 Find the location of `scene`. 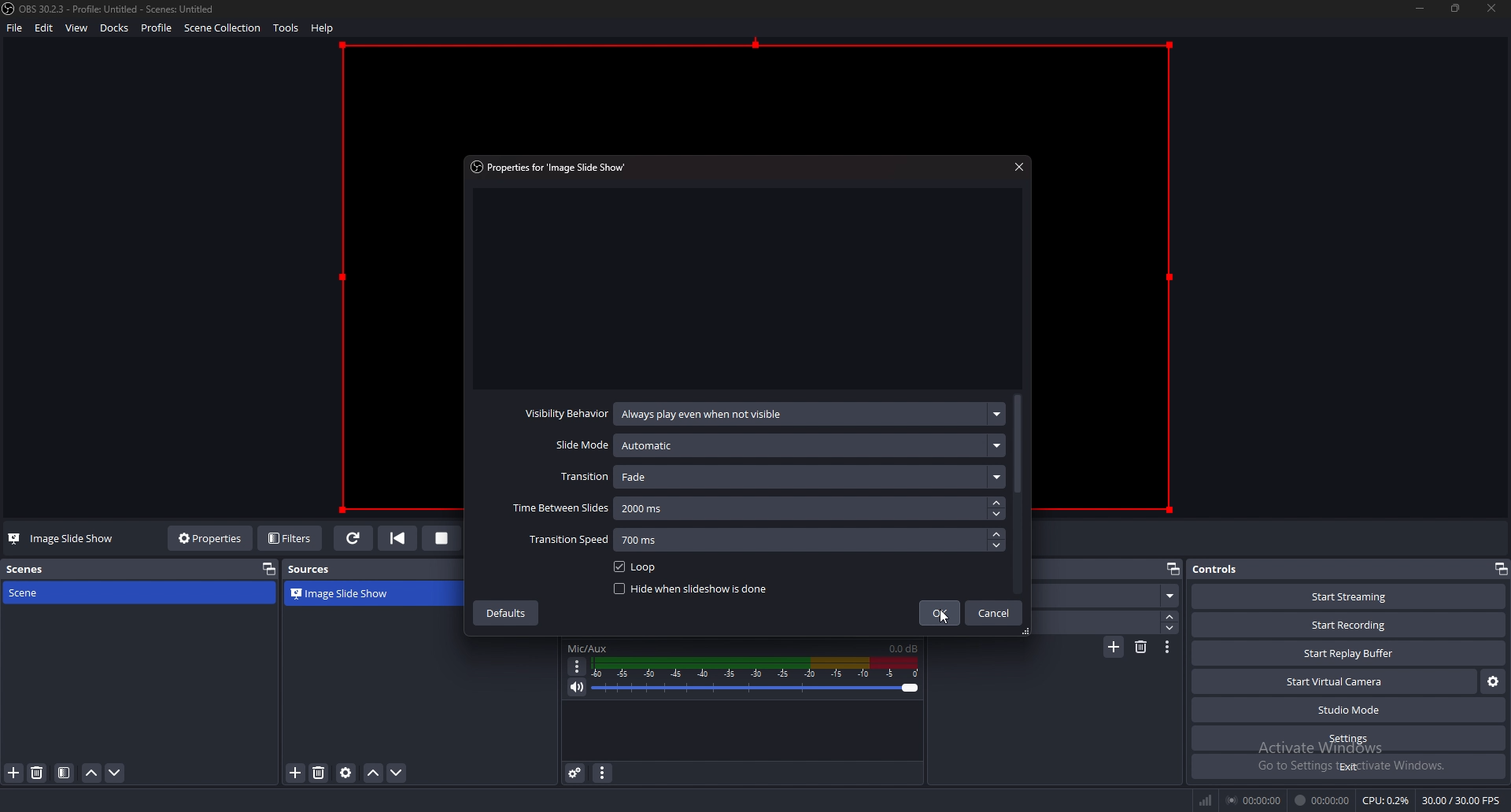

scene is located at coordinates (54, 593).